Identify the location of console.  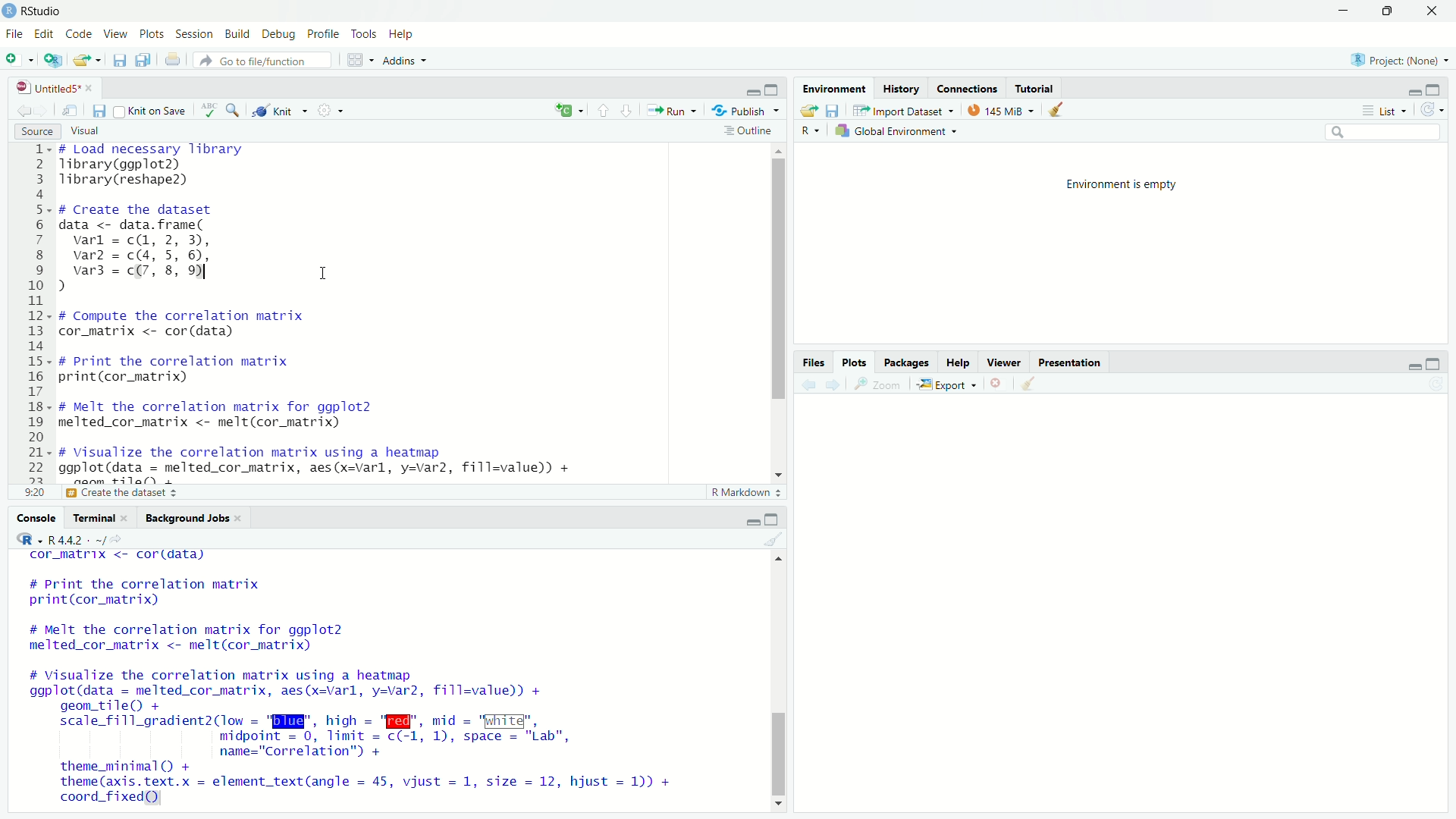
(38, 518).